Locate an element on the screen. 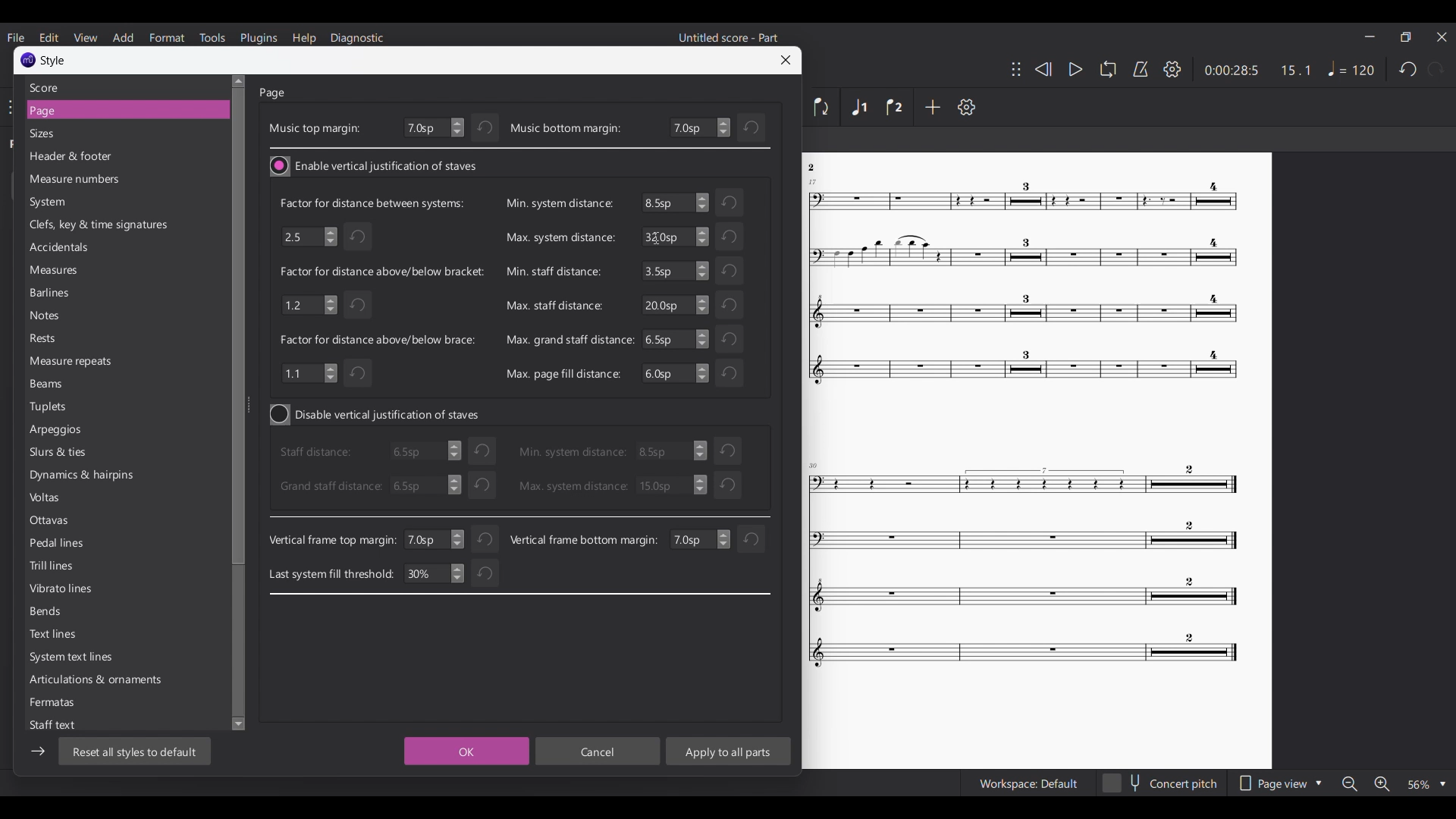 The image size is (1456, 819). Voice 2 is located at coordinates (895, 107).